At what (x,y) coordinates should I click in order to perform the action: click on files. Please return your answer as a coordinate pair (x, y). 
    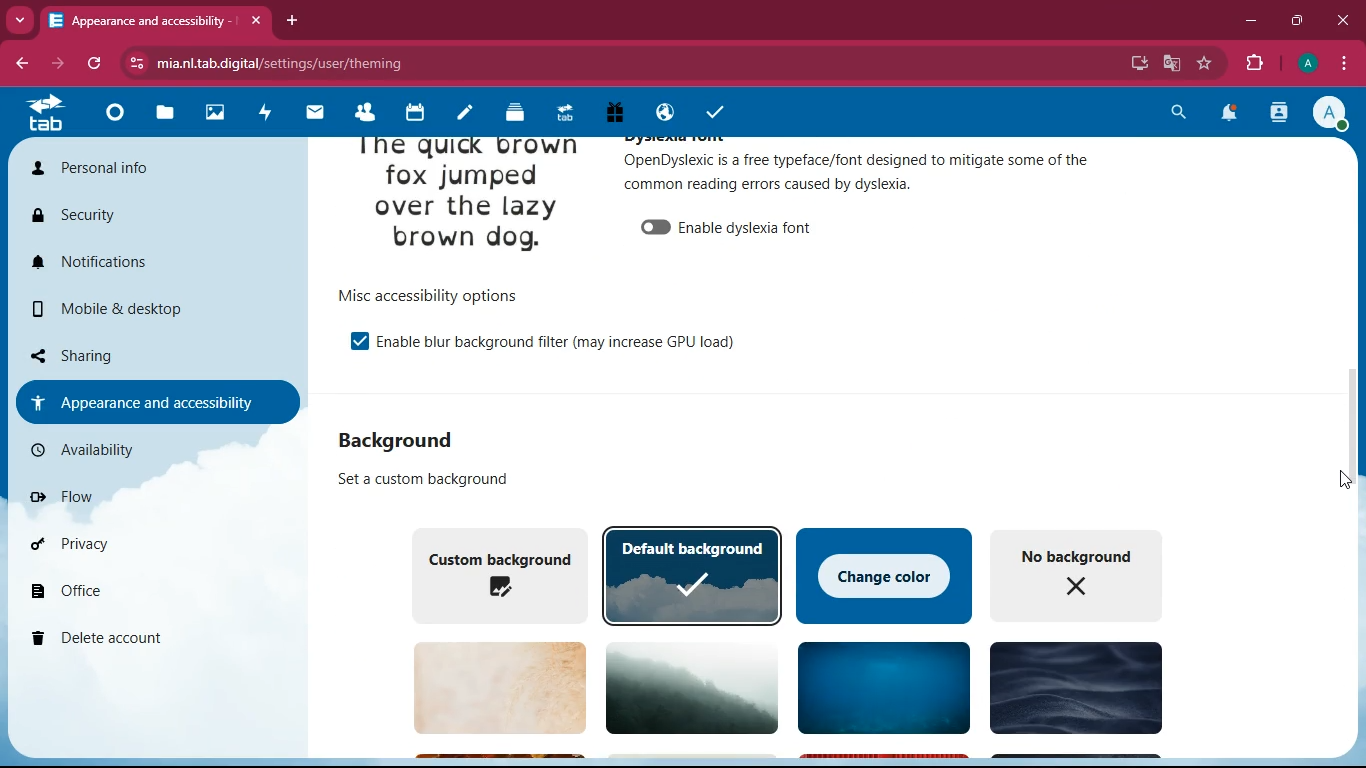
    Looking at the image, I should click on (160, 115).